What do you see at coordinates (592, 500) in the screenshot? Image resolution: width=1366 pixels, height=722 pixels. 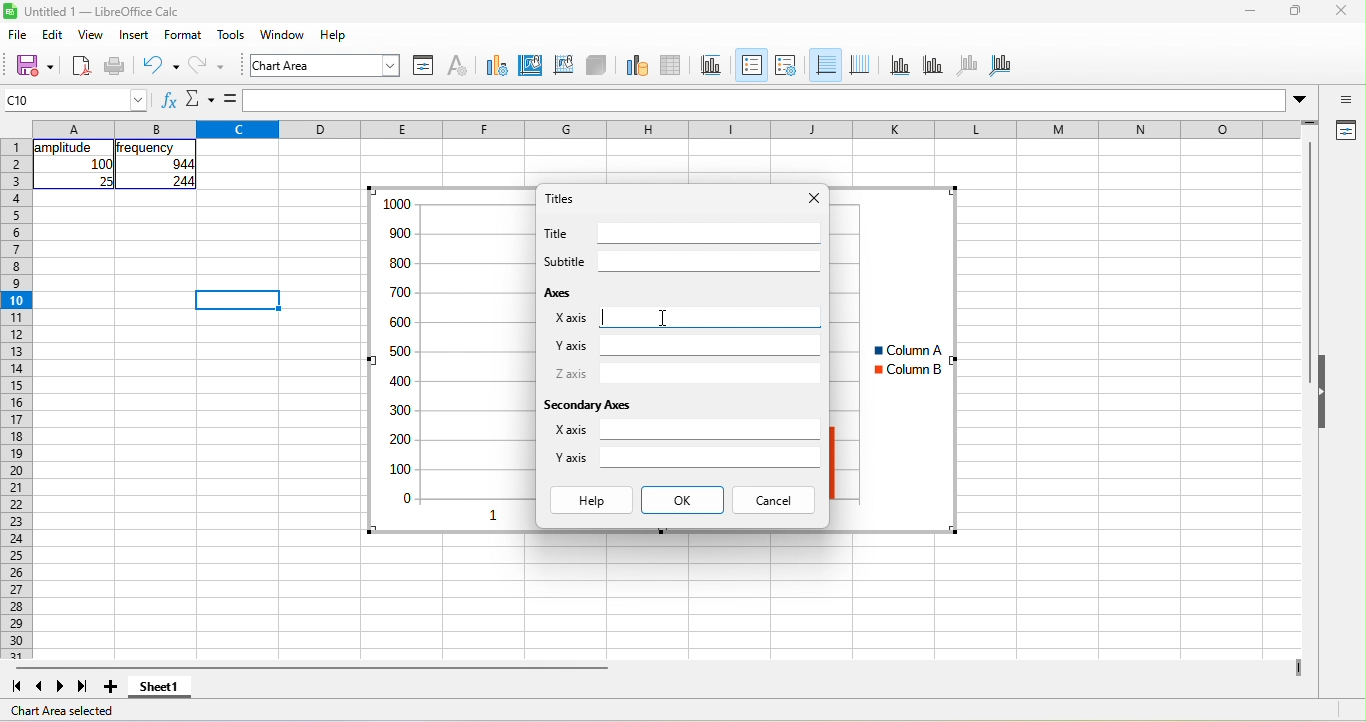 I see `help` at bounding box center [592, 500].